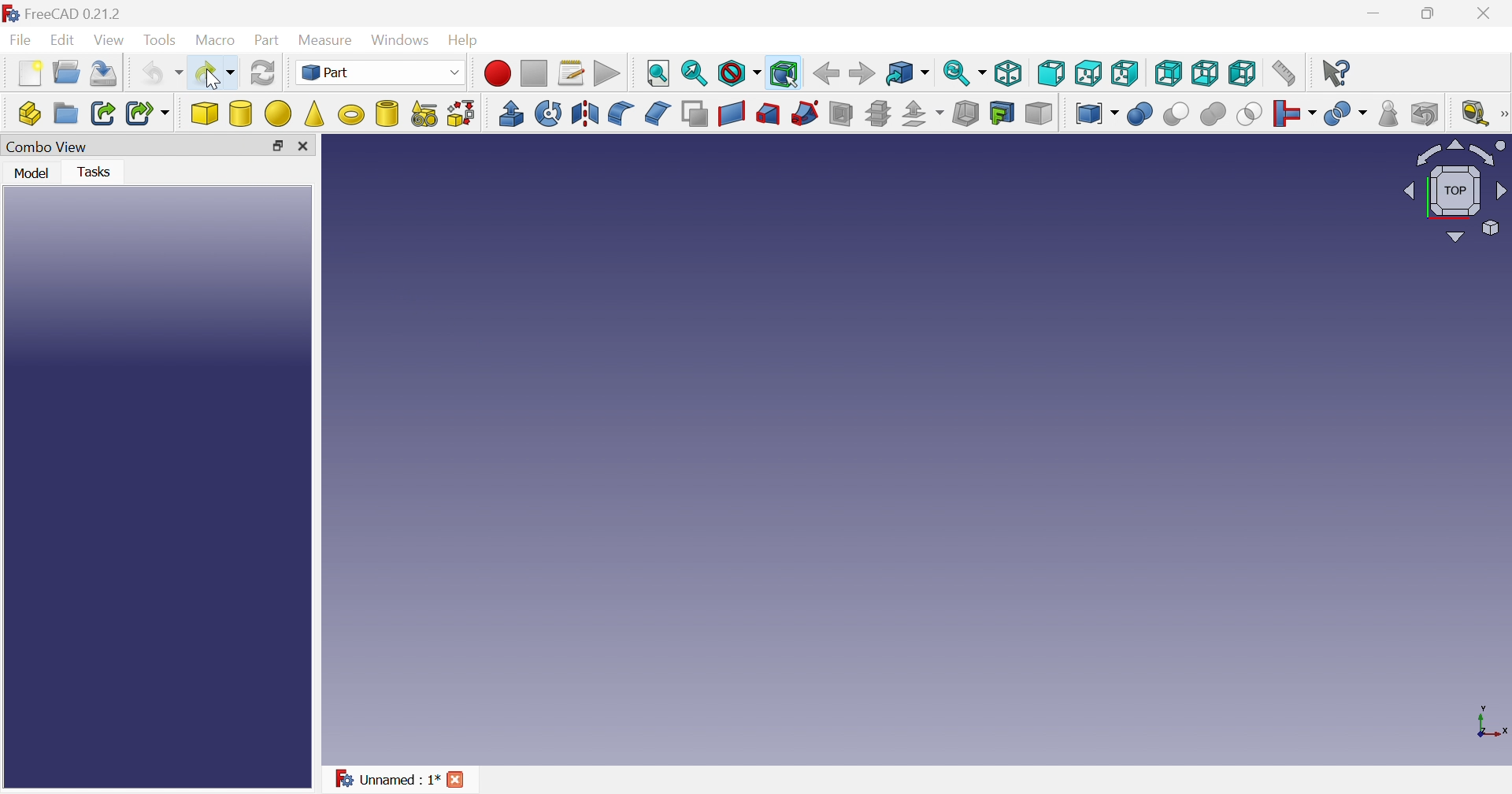 The image size is (1512, 794). Describe the element at coordinates (1247, 113) in the screenshot. I see `Intersection` at that location.